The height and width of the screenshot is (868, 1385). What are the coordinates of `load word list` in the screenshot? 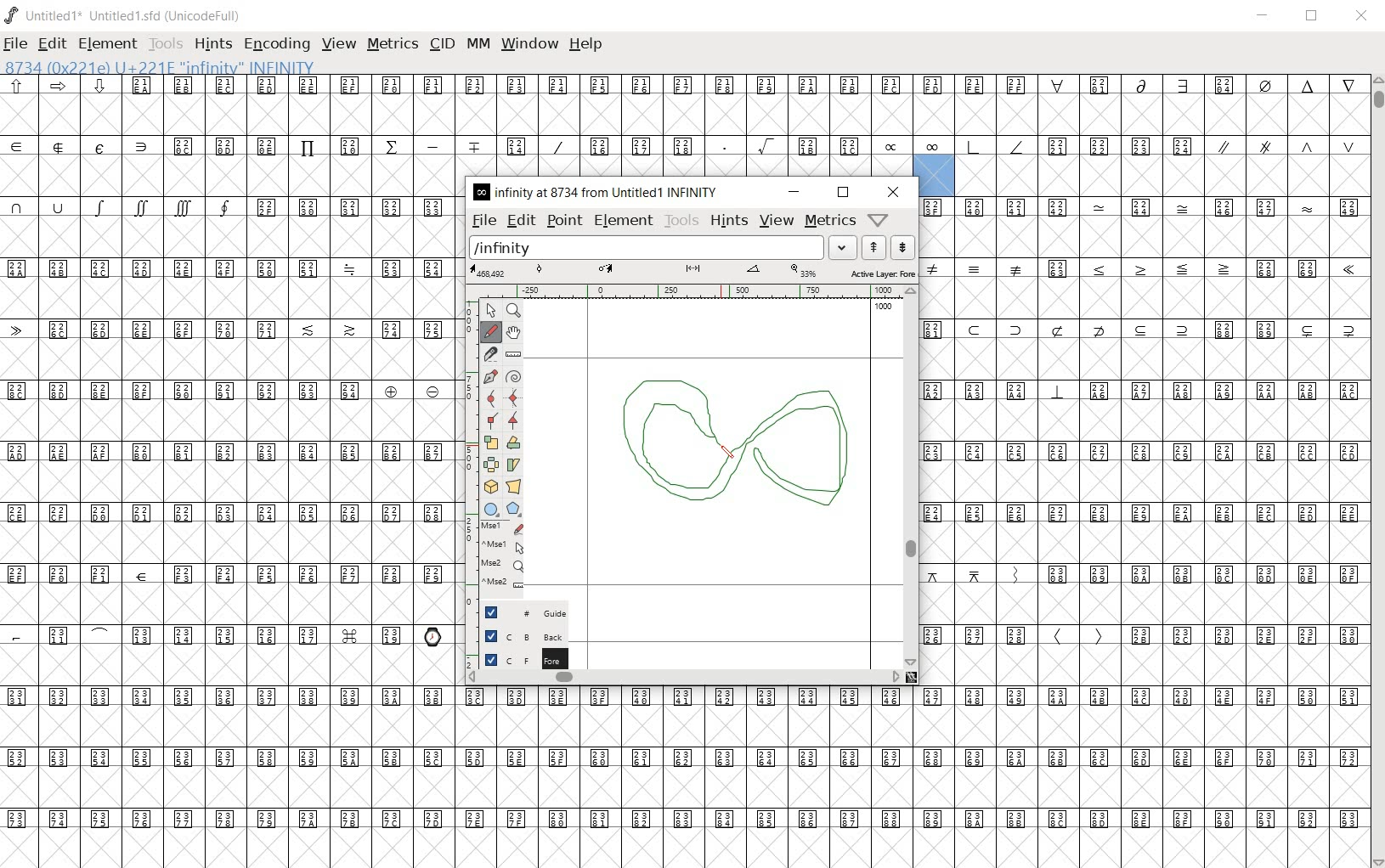 It's located at (663, 247).